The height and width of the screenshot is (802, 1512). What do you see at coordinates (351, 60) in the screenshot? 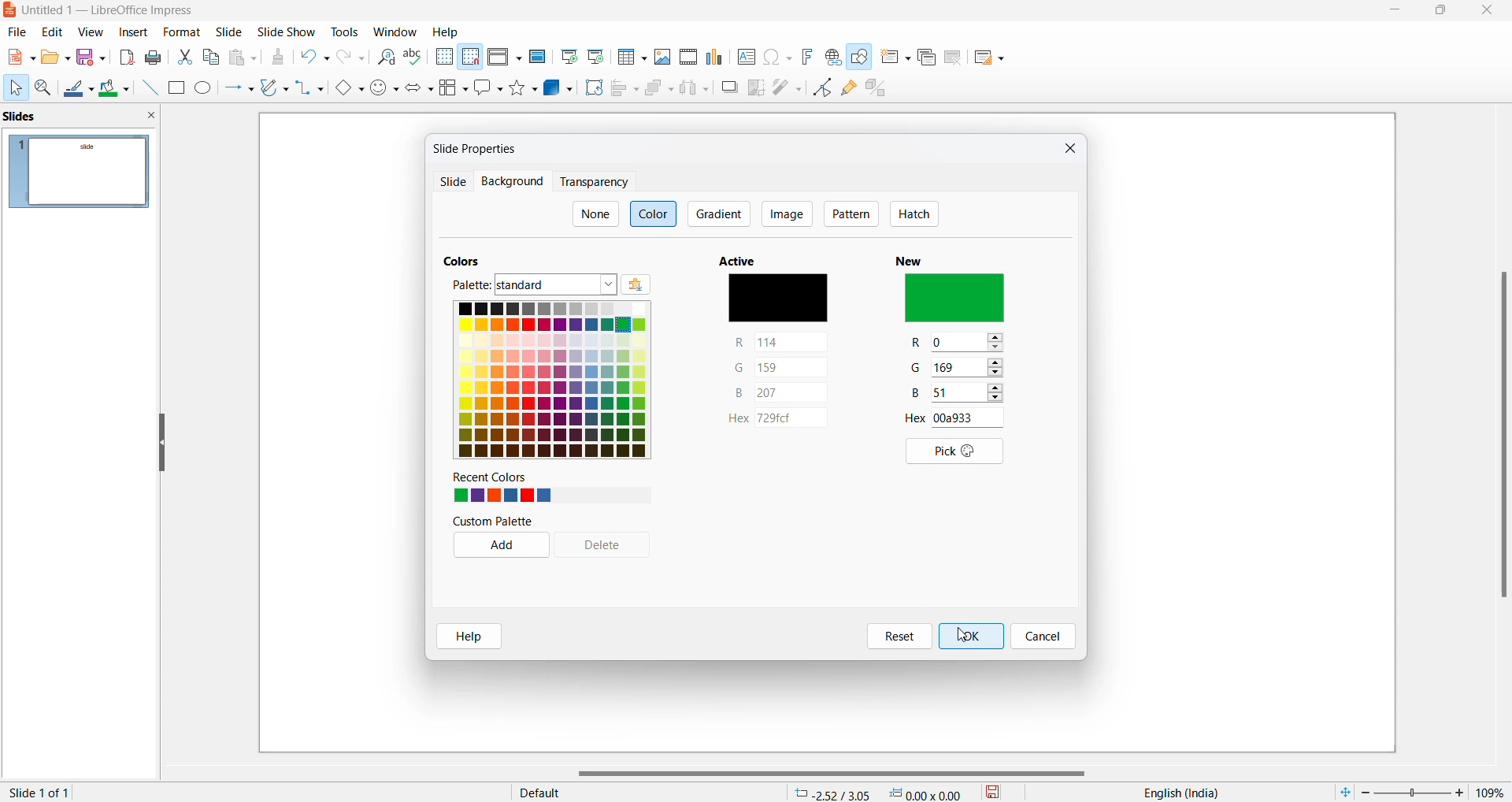
I see `redo ` at bounding box center [351, 60].